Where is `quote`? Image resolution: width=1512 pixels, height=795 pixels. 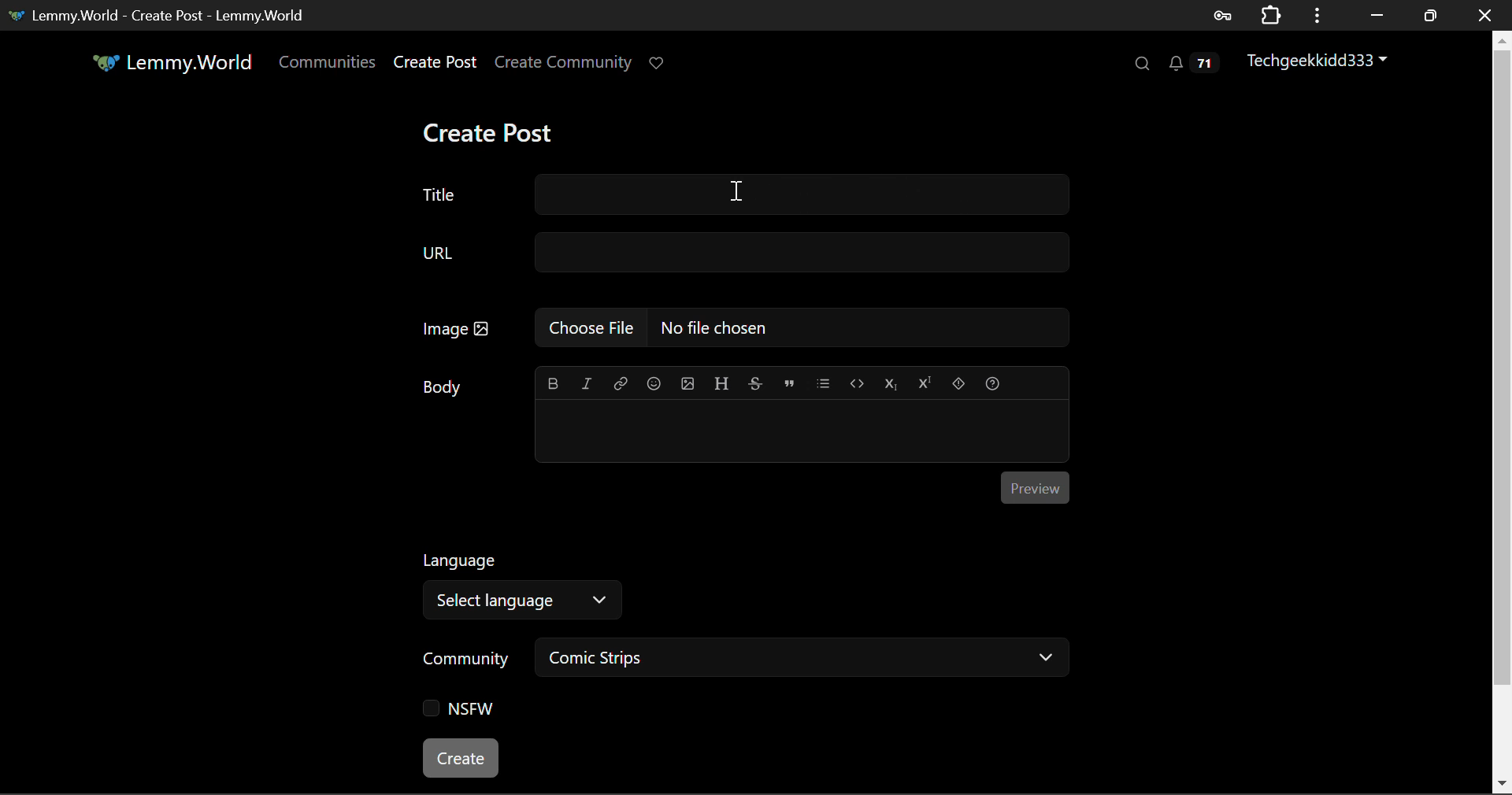
quote is located at coordinates (786, 383).